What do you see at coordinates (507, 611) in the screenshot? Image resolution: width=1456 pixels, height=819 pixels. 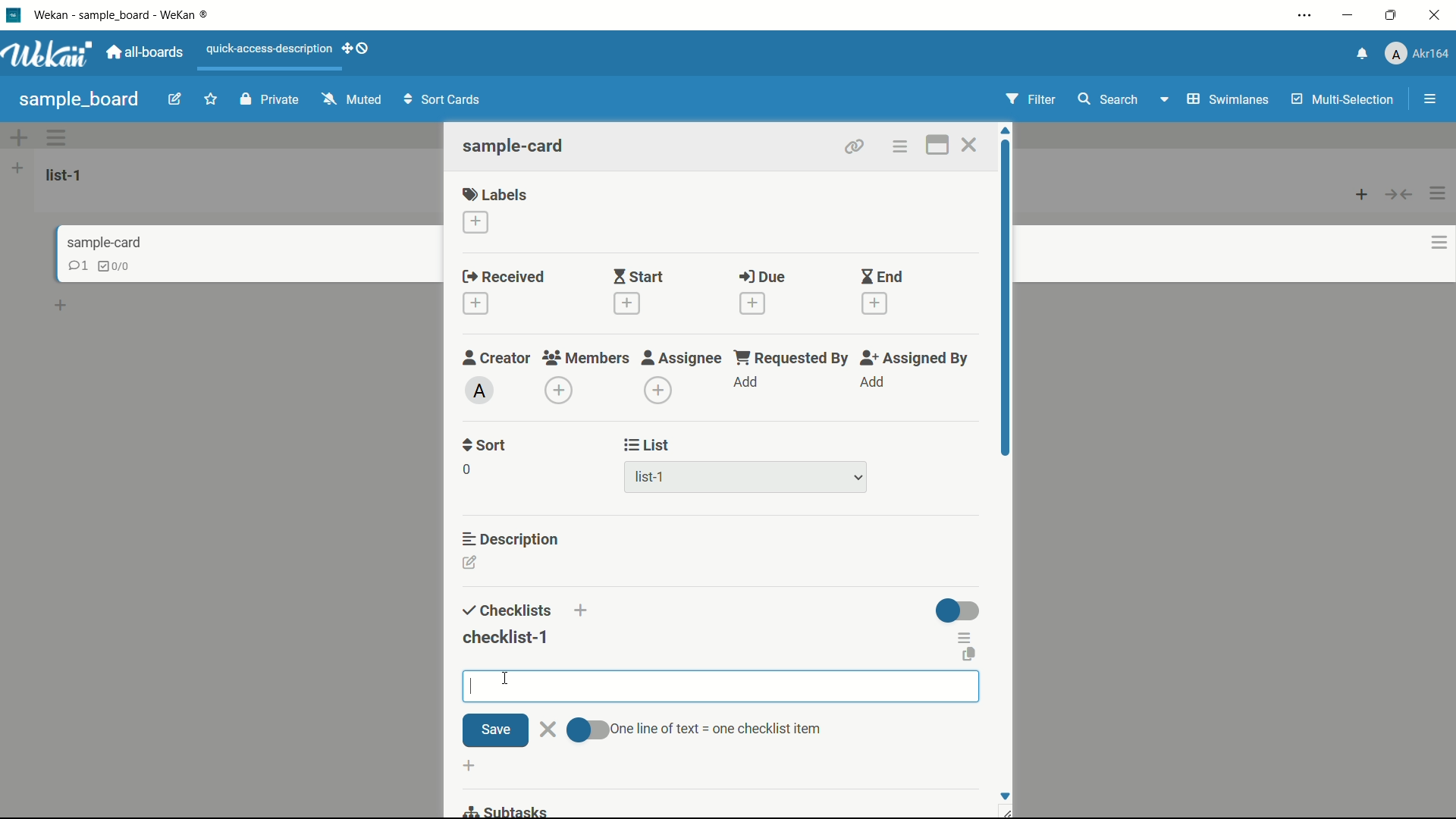 I see `checklists` at bounding box center [507, 611].